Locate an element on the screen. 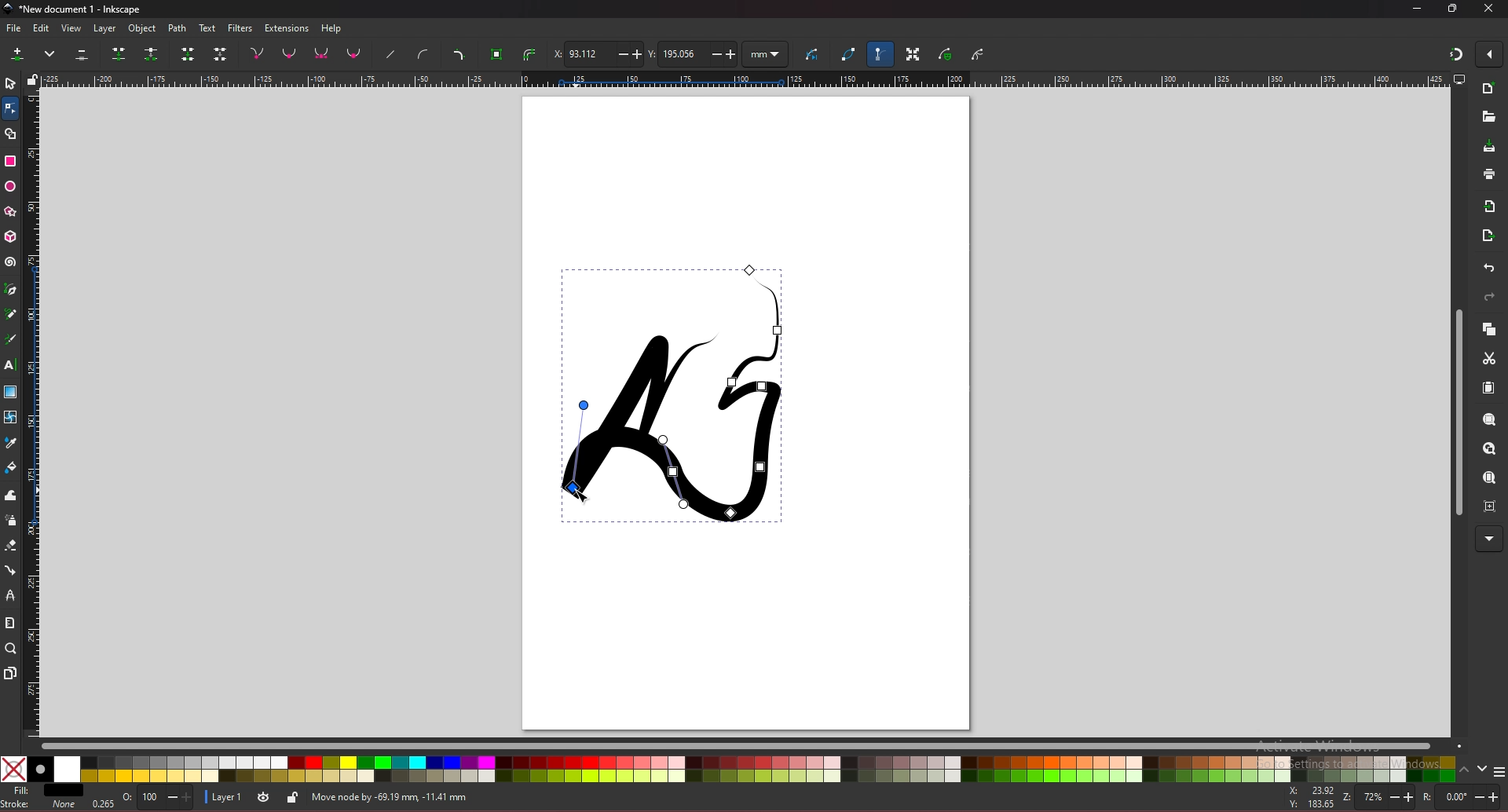 Image resolution: width=1508 pixels, height=812 pixels. path is located at coordinates (178, 29).